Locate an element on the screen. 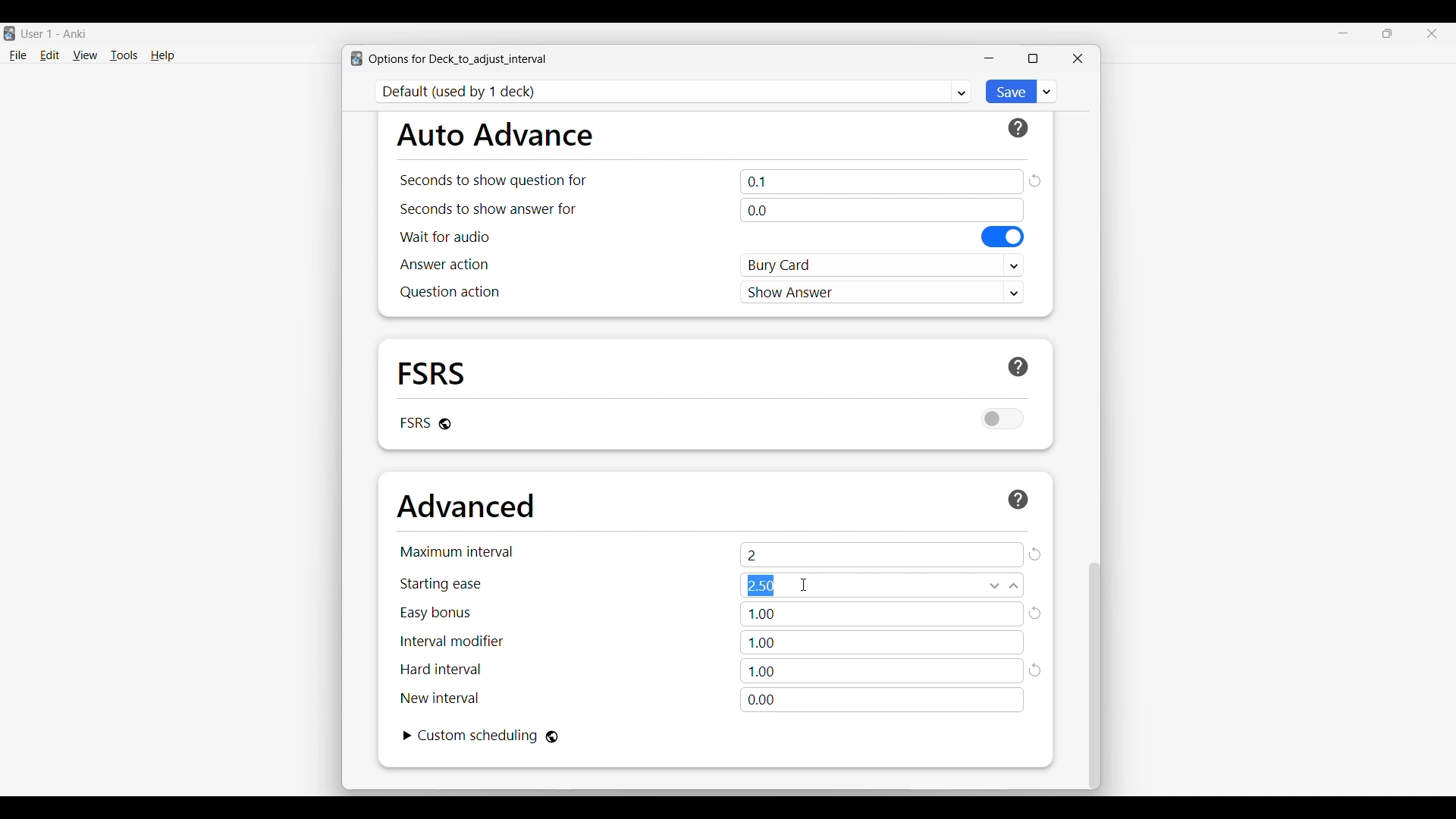 This screenshot has height=819, width=1456. Window title is located at coordinates (458, 59).